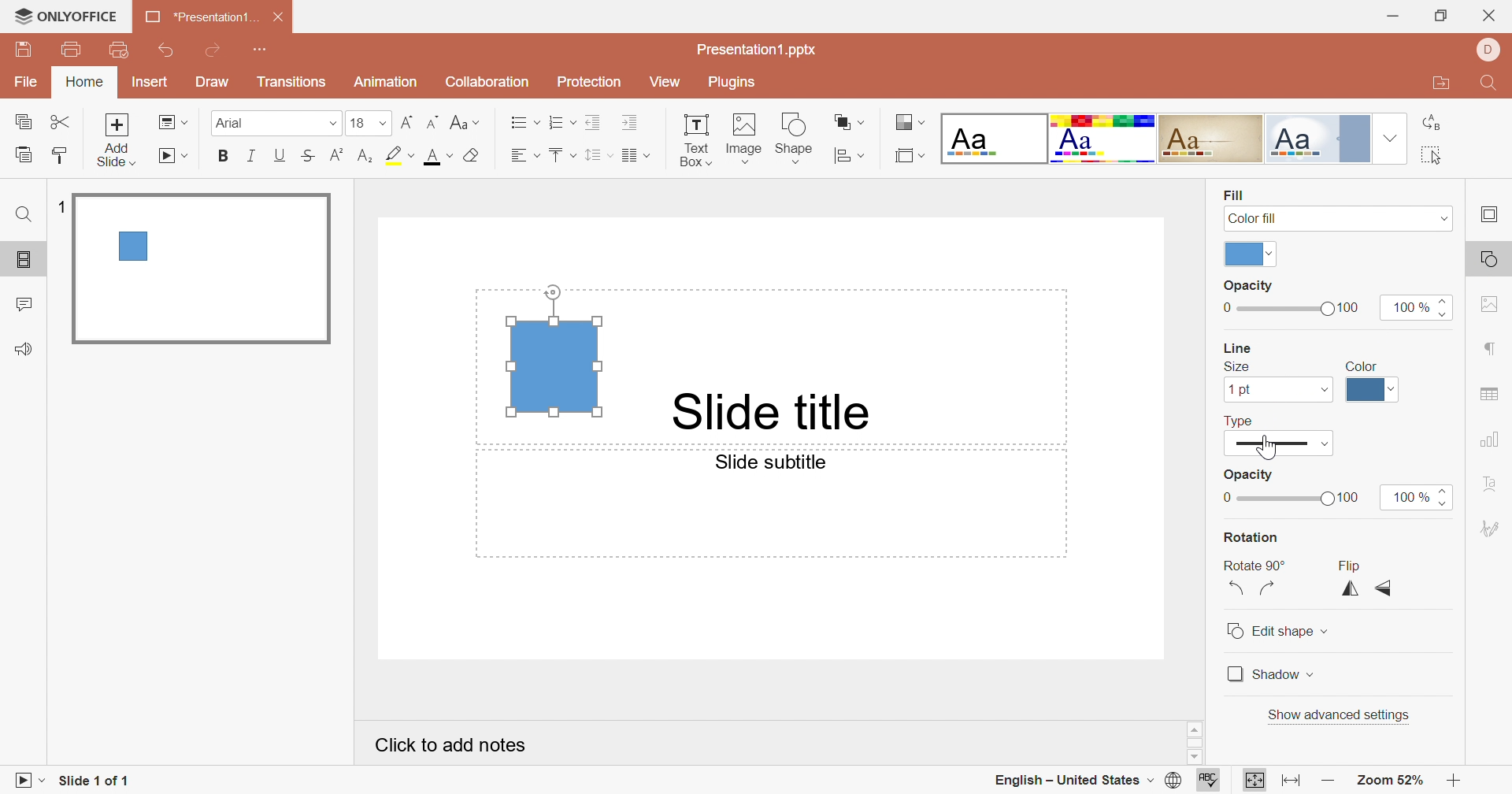 The width and height of the screenshot is (1512, 794). What do you see at coordinates (1364, 364) in the screenshot?
I see `Color` at bounding box center [1364, 364].